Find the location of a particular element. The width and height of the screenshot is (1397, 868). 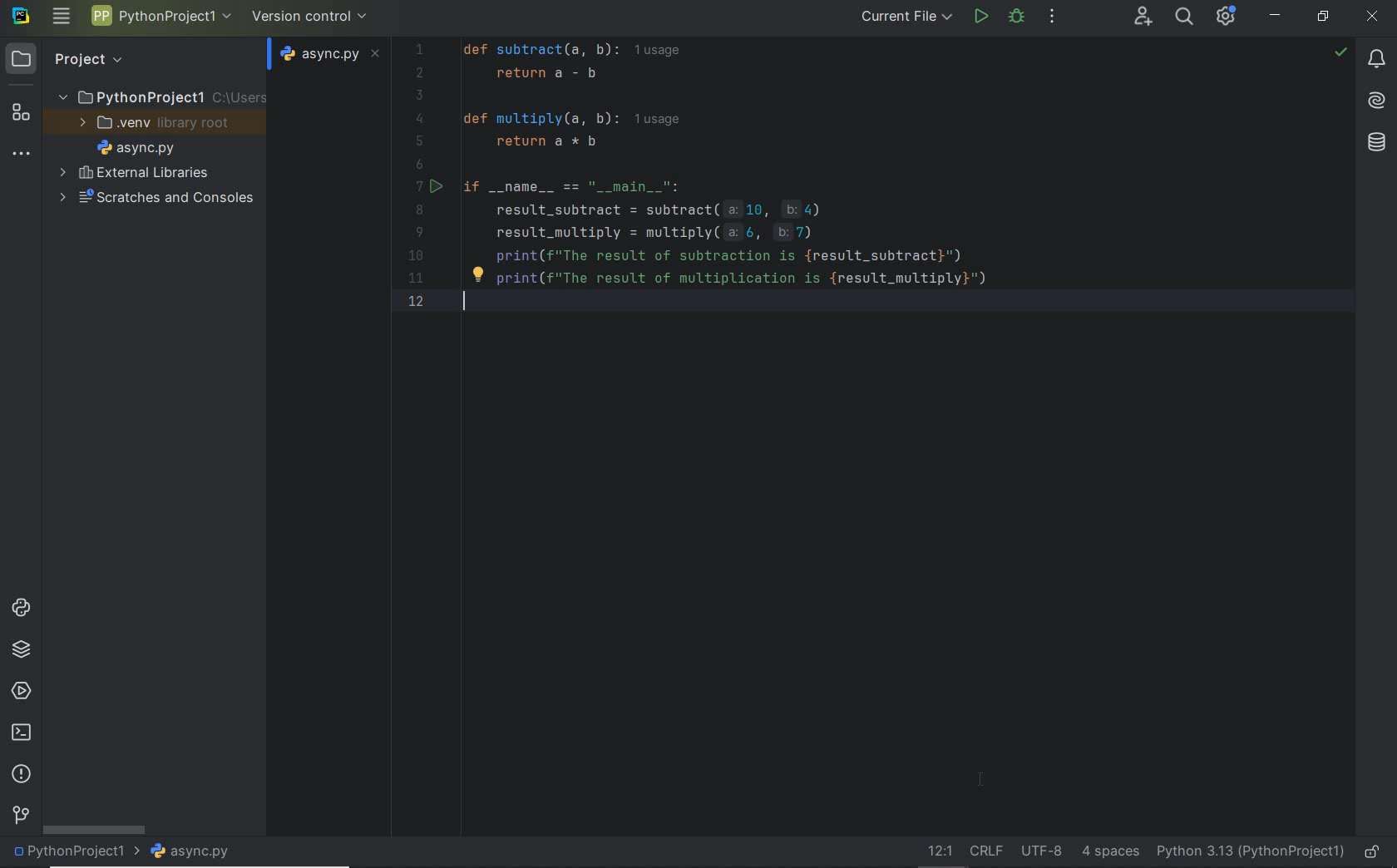

database is located at coordinates (1374, 145).